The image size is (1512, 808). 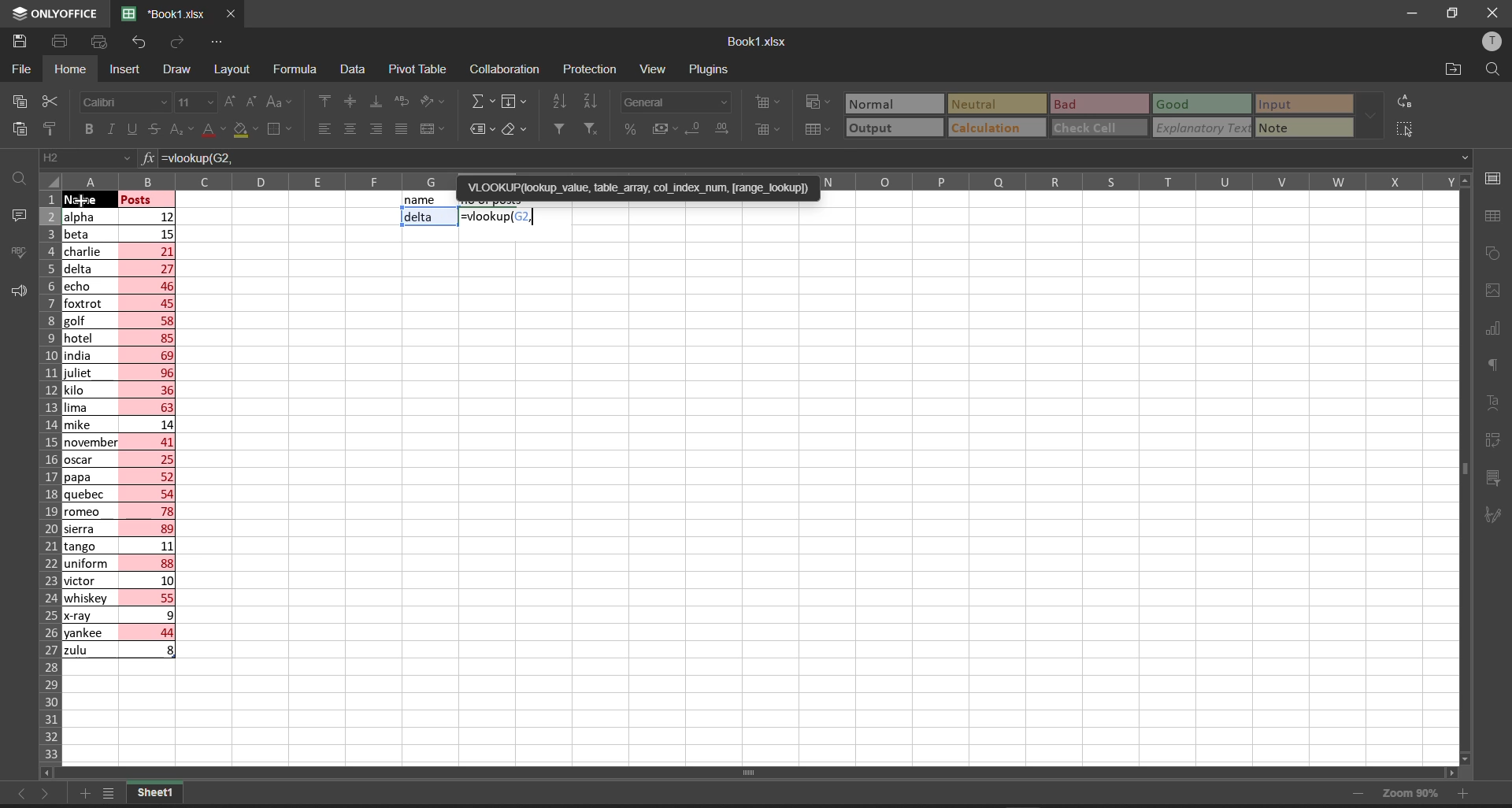 What do you see at coordinates (993, 128) in the screenshot?
I see `calculation` at bounding box center [993, 128].